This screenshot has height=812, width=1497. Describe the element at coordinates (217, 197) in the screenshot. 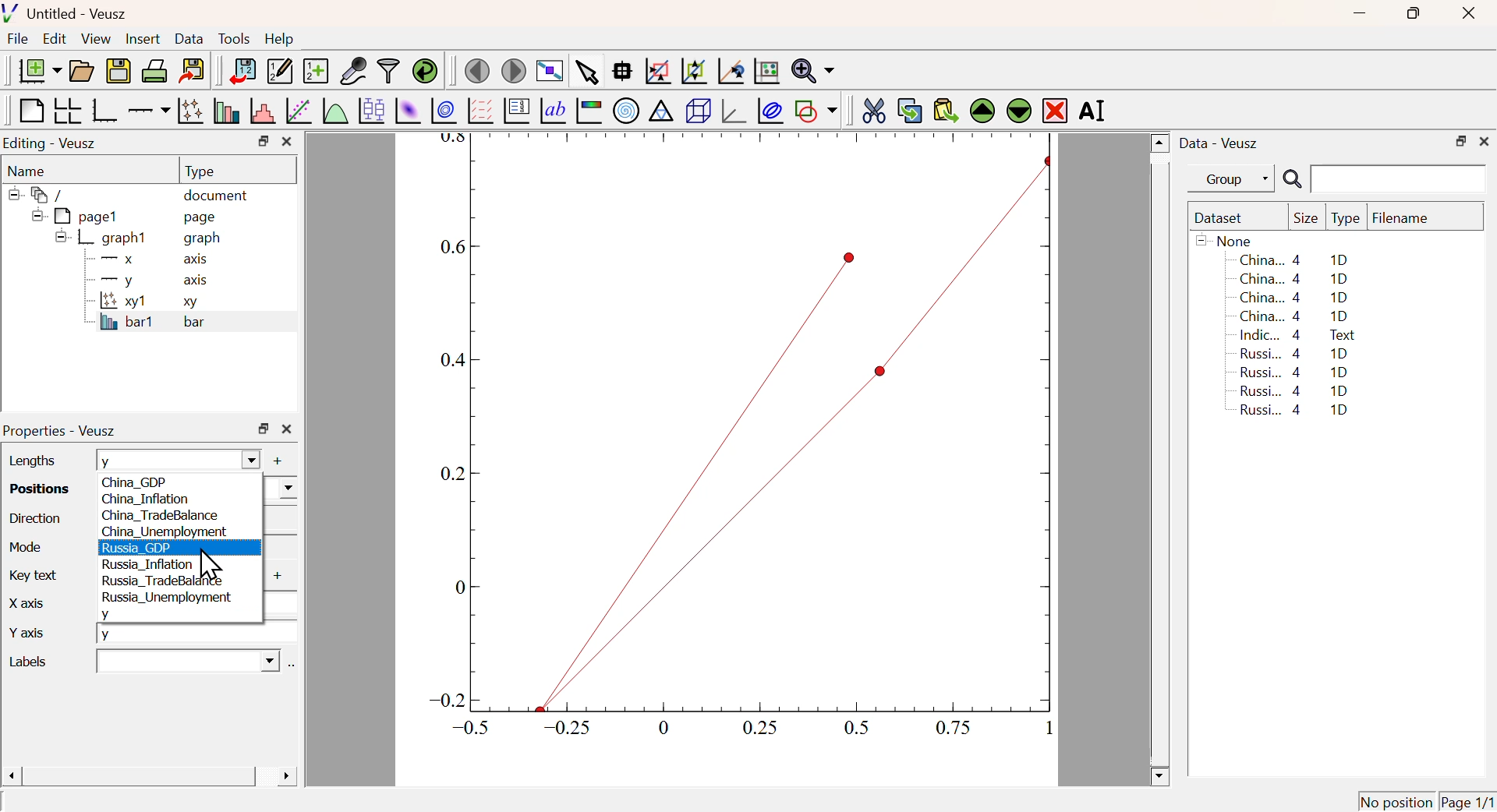

I see `document` at that location.